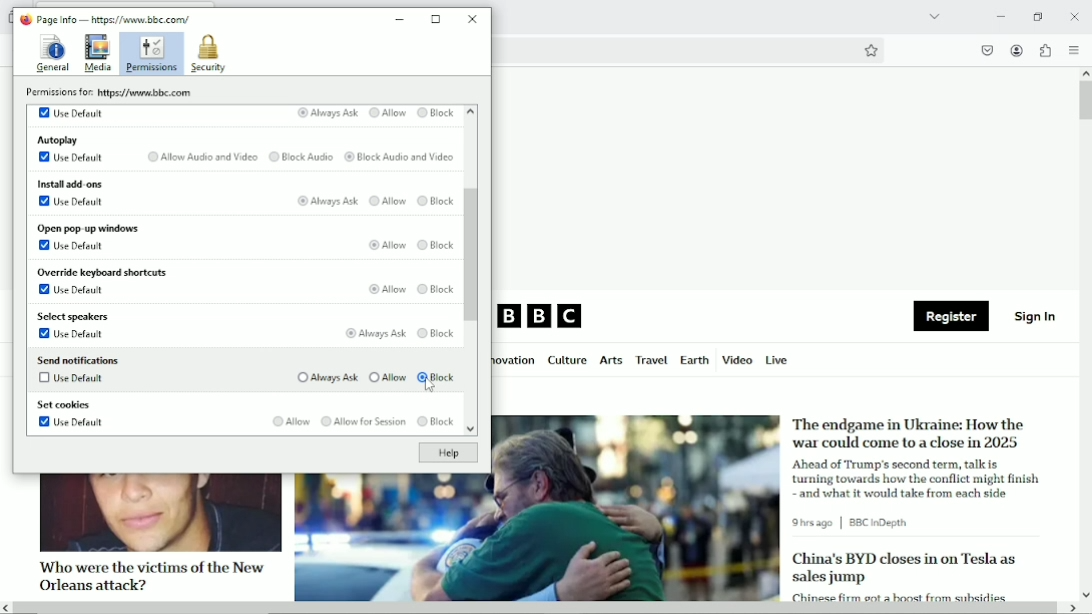  Describe the element at coordinates (437, 19) in the screenshot. I see `resize` at that location.